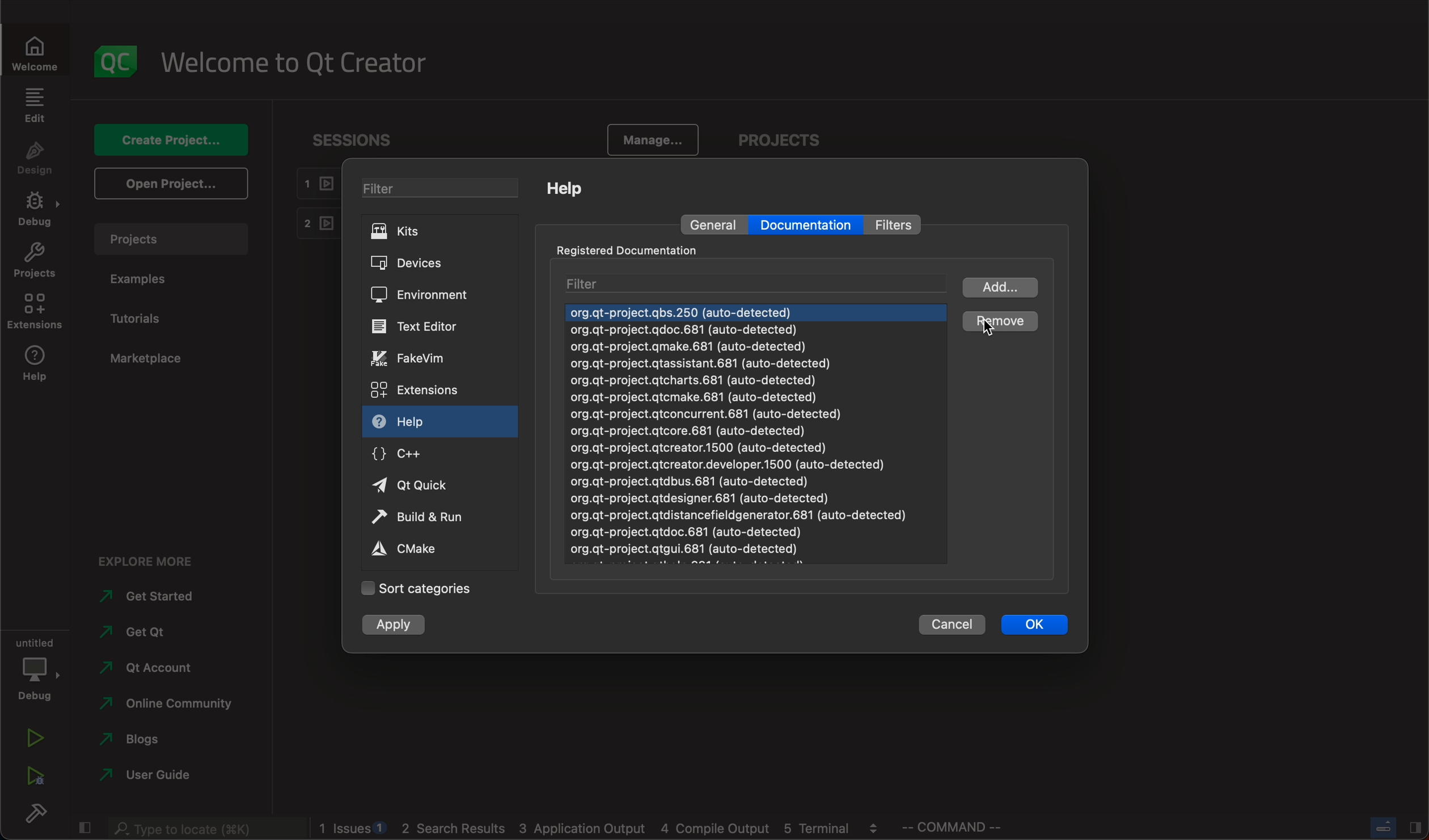 The height and width of the screenshot is (840, 1429). What do you see at coordinates (39, 363) in the screenshot?
I see `help` at bounding box center [39, 363].